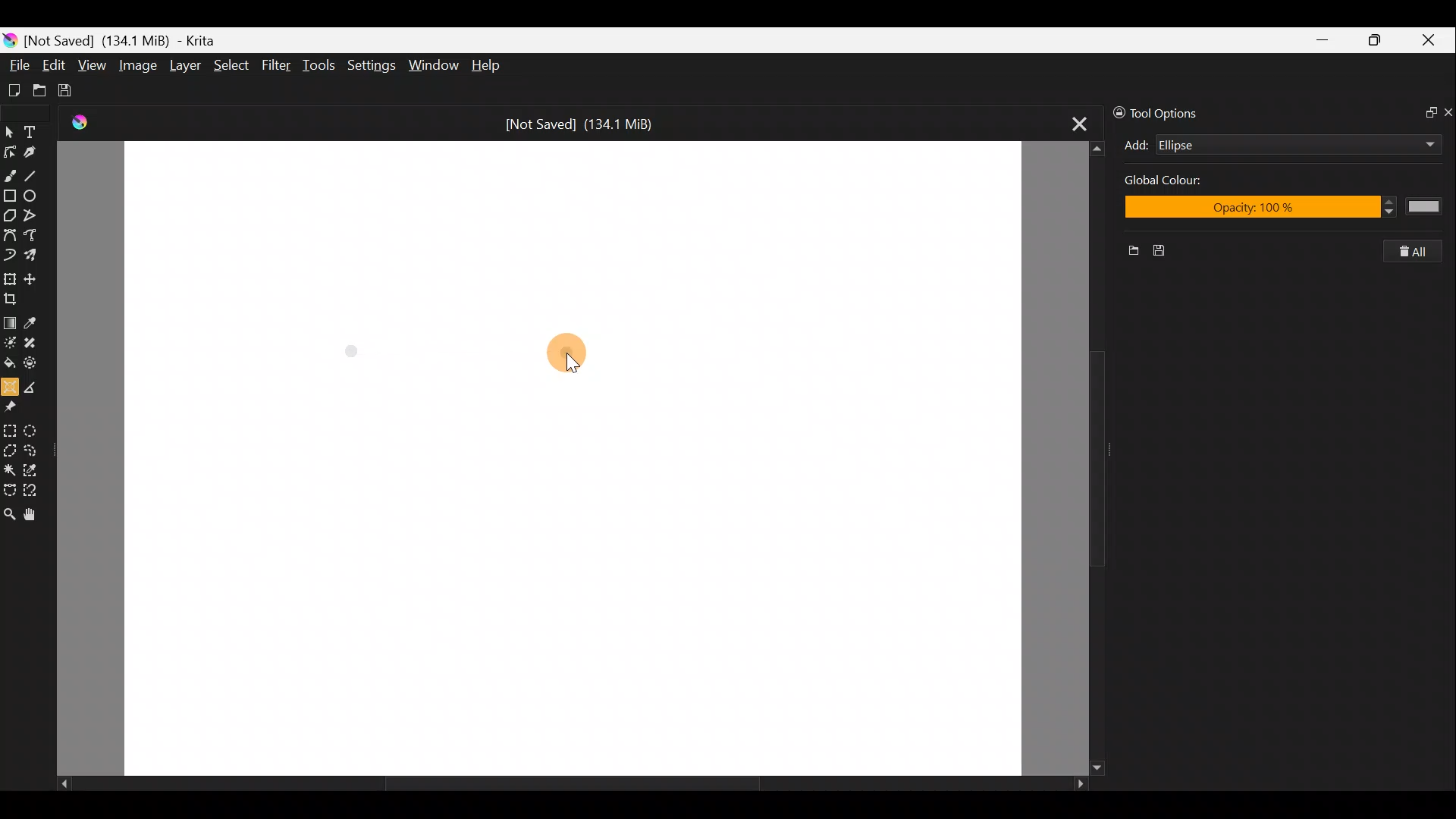 The height and width of the screenshot is (819, 1456). What do you see at coordinates (38, 428) in the screenshot?
I see `Elliptical selection tool` at bounding box center [38, 428].